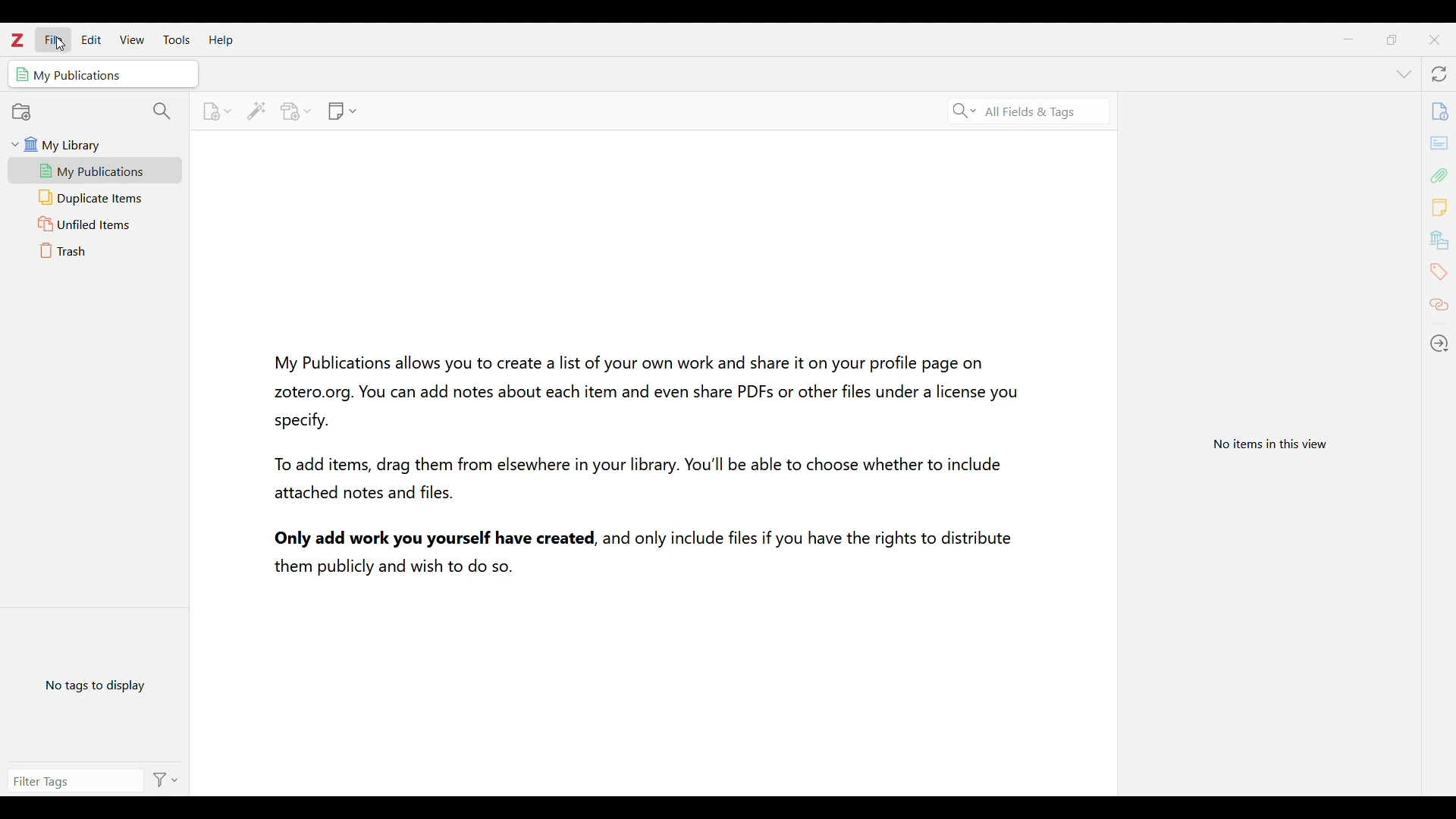  I want to click on Specific search criteria options, so click(965, 111).